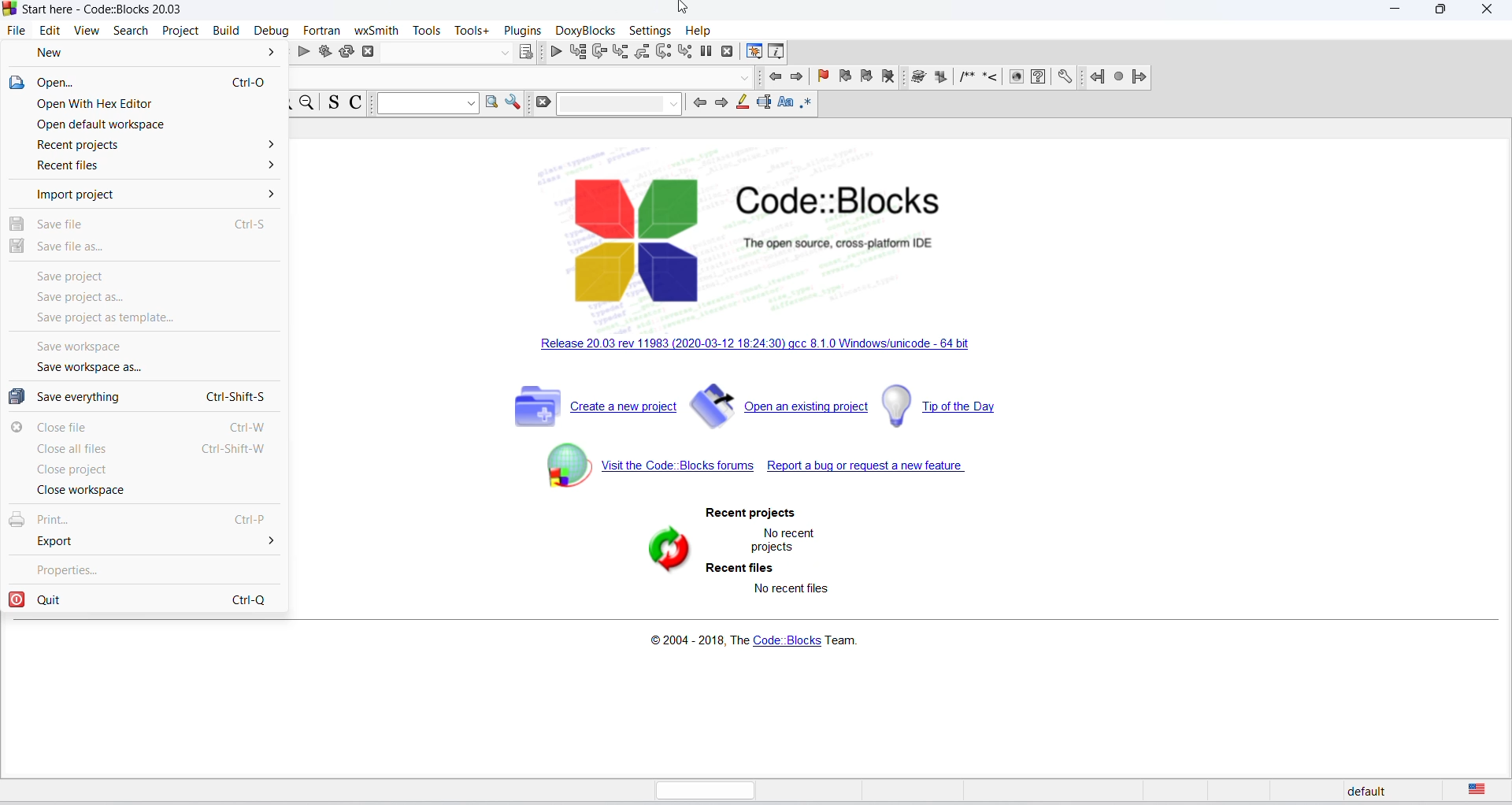 This screenshot has height=805, width=1512. Describe the element at coordinates (663, 52) in the screenshot. I see `next instruction` at that location.